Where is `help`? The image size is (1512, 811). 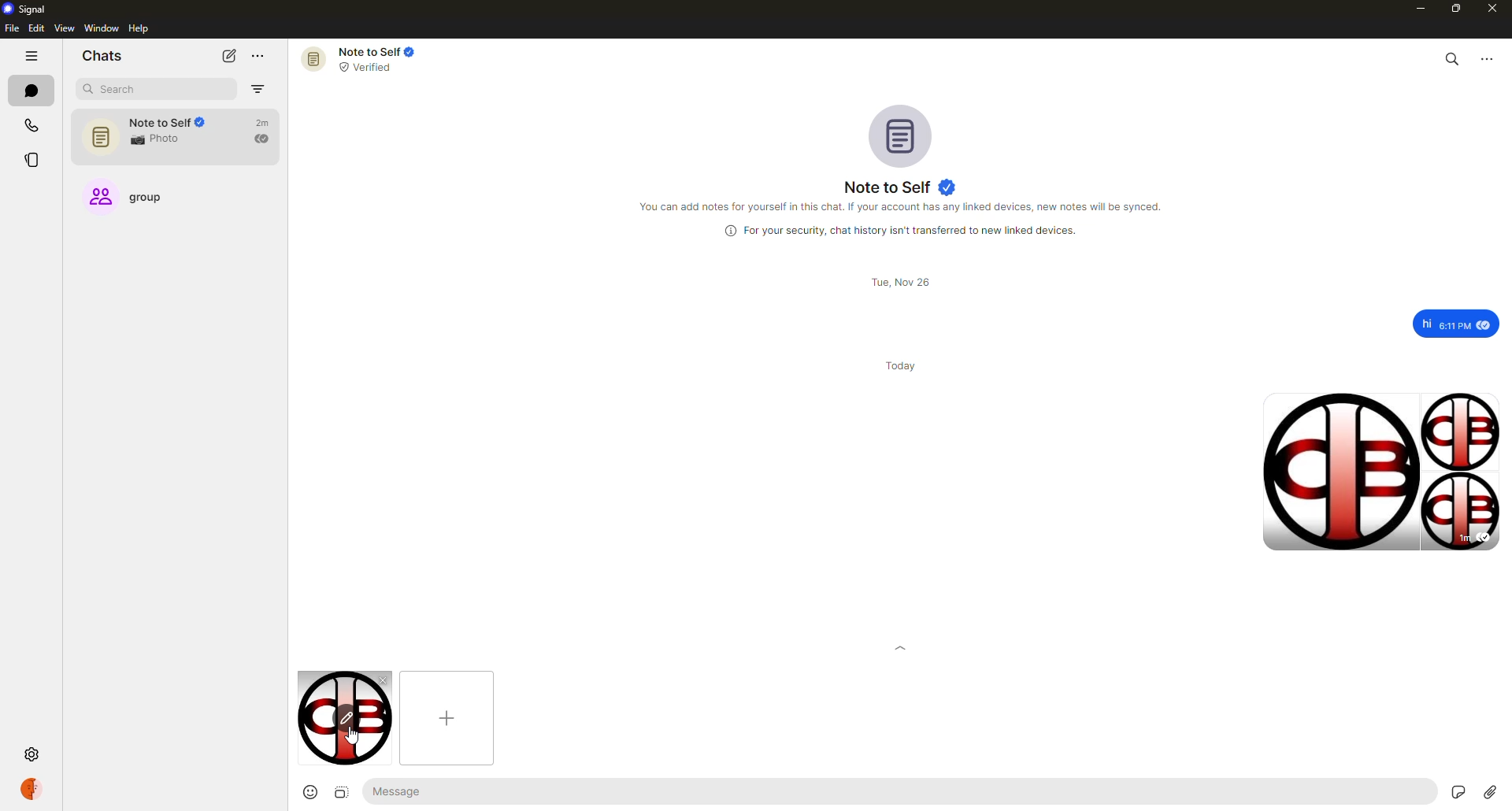 help is located at coordinates (139, 28).